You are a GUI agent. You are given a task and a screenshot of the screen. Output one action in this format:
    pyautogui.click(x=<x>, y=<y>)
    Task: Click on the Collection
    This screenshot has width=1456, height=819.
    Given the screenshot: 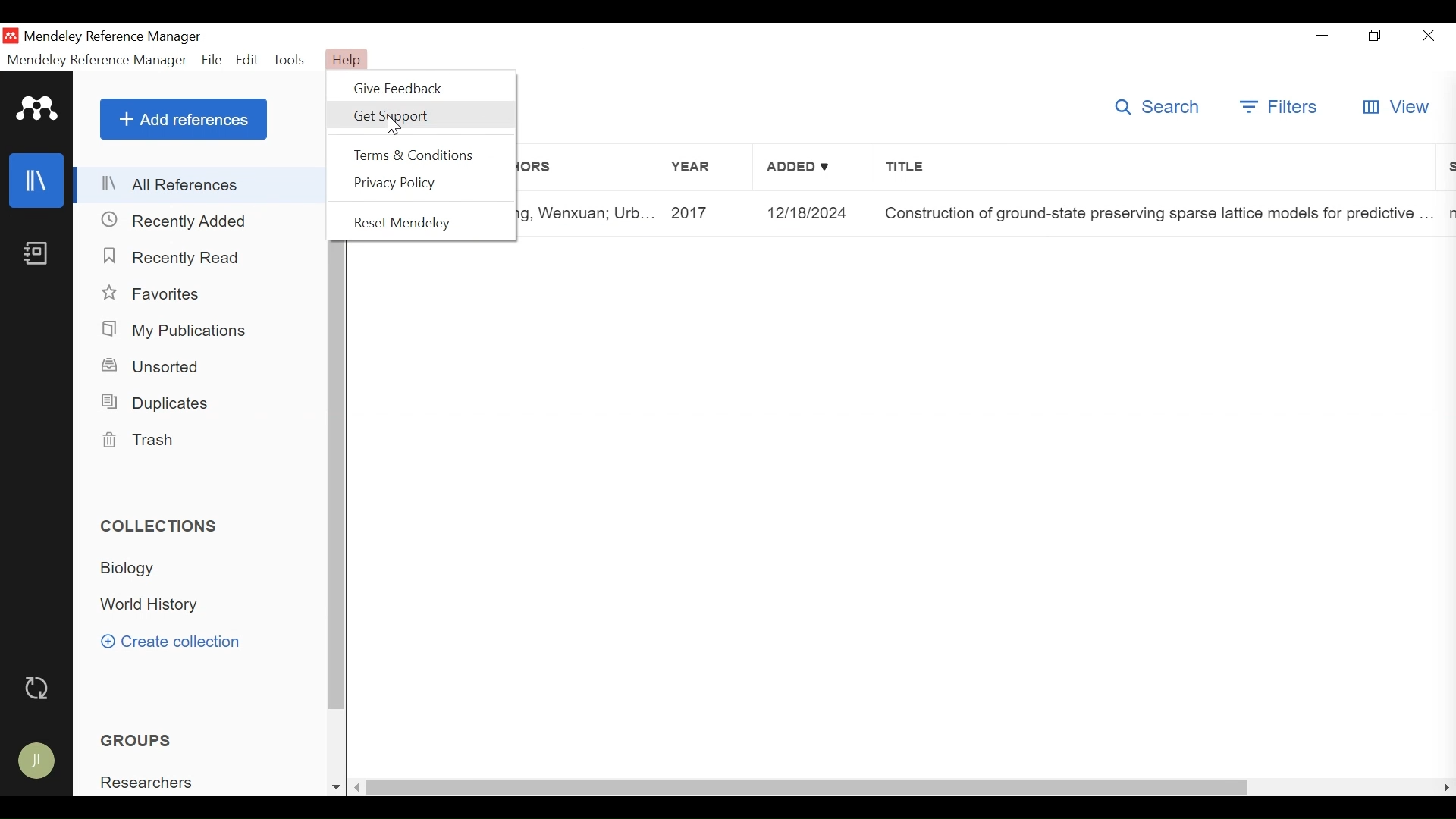 What is the action you would take?
    pyautogui.click(x=149, y=606)
    